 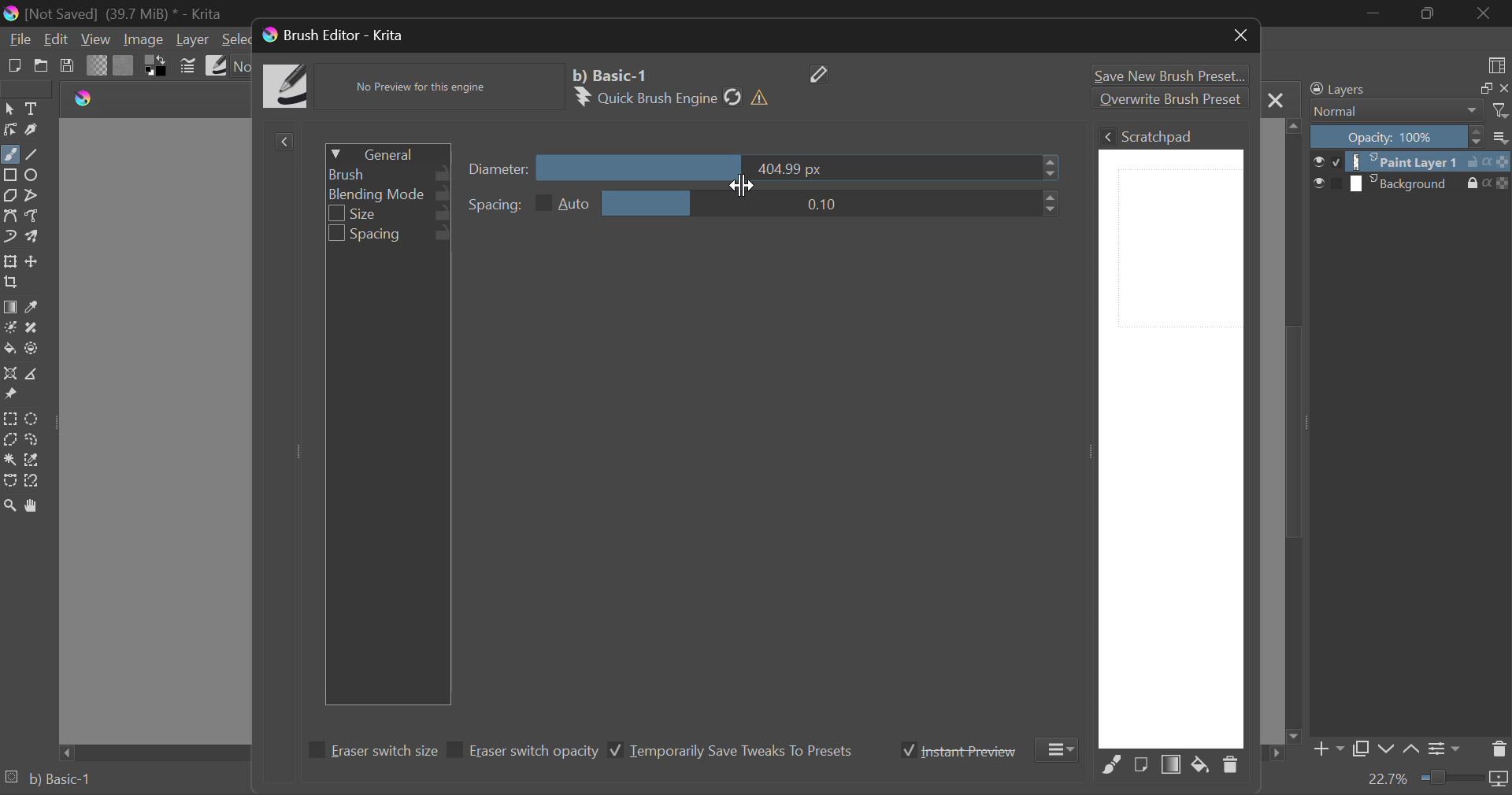 What do you see at coordinates (11, 196) in the screenshot?
I see `Polygon` at bounding box center [11, 196].